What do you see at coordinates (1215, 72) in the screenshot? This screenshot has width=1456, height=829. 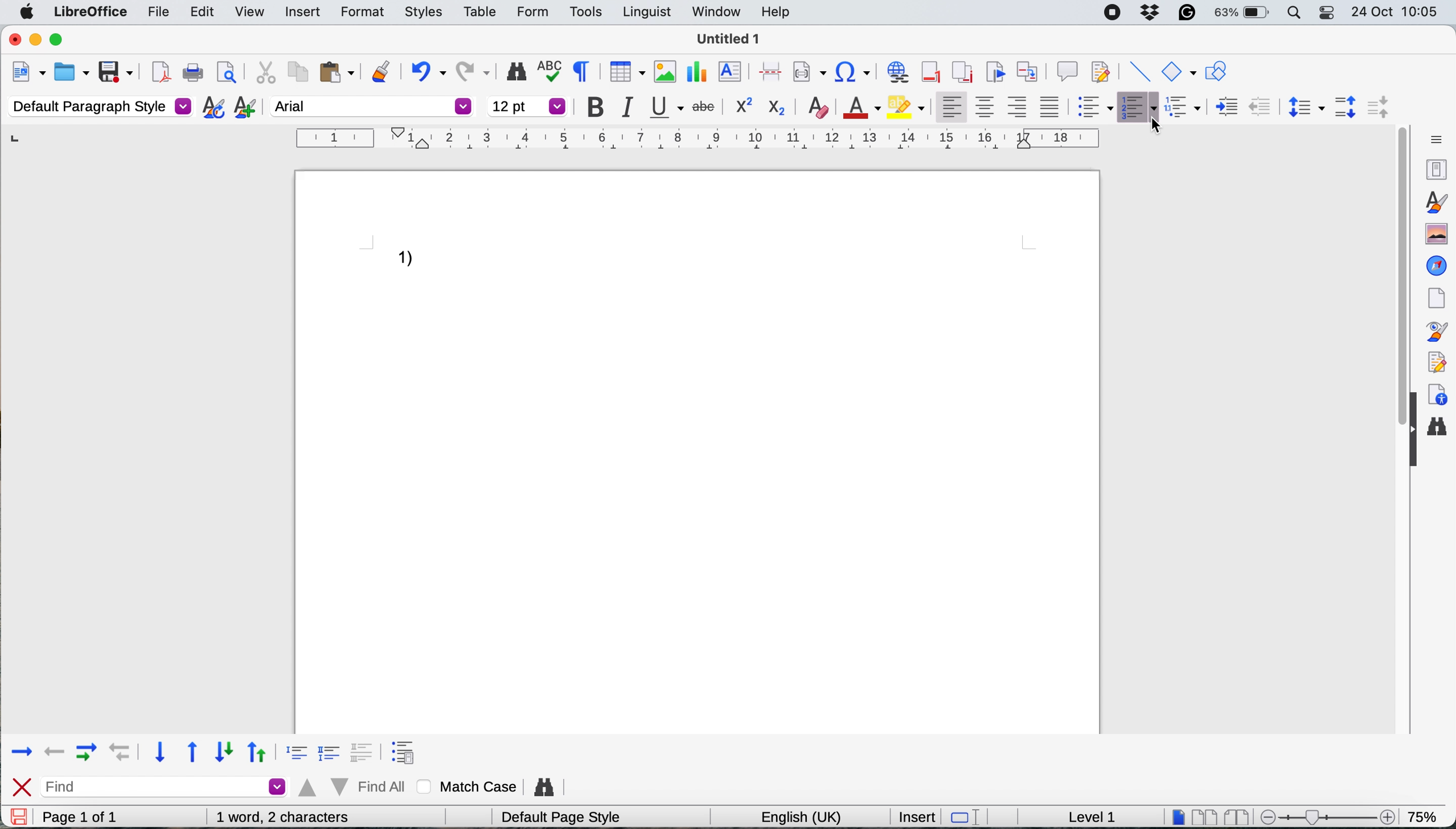 I see `show draw functions` at bounding box center [1215, 72].